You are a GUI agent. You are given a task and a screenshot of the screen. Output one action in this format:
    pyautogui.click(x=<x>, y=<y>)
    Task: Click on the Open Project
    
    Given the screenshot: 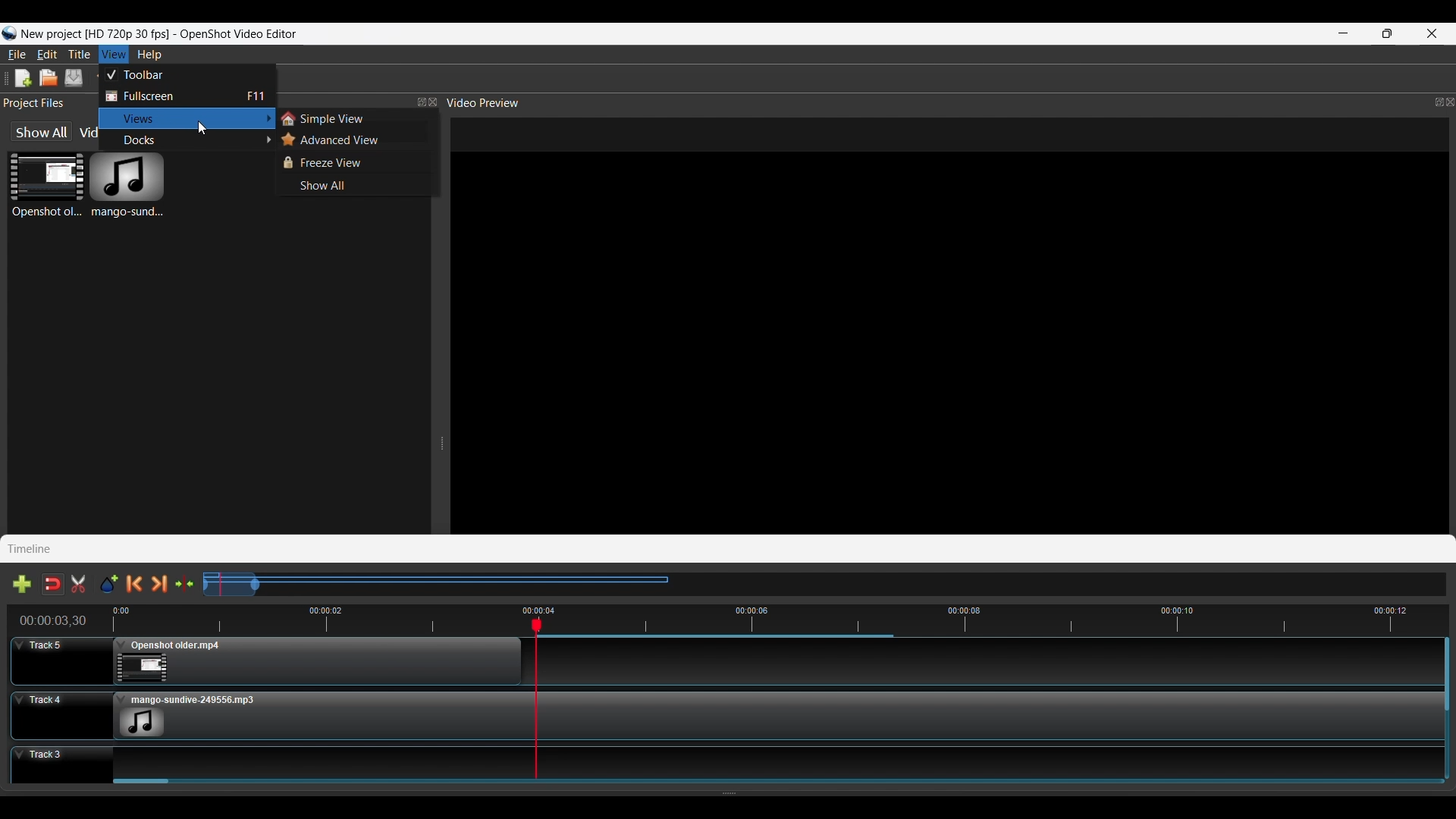 What is the action you would take?
    pyautogui.click(x=49, y=78)
    